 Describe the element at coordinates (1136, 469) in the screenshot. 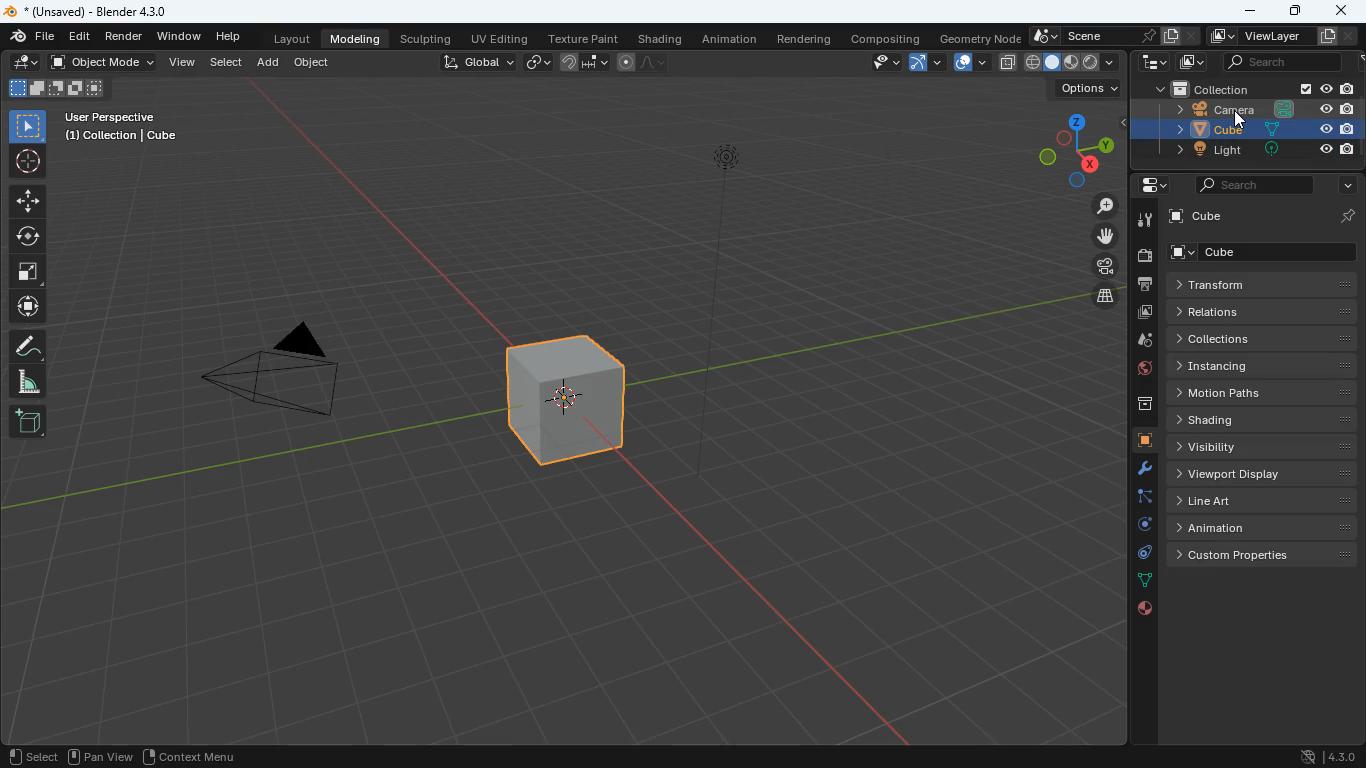

I see `settings` at that location.